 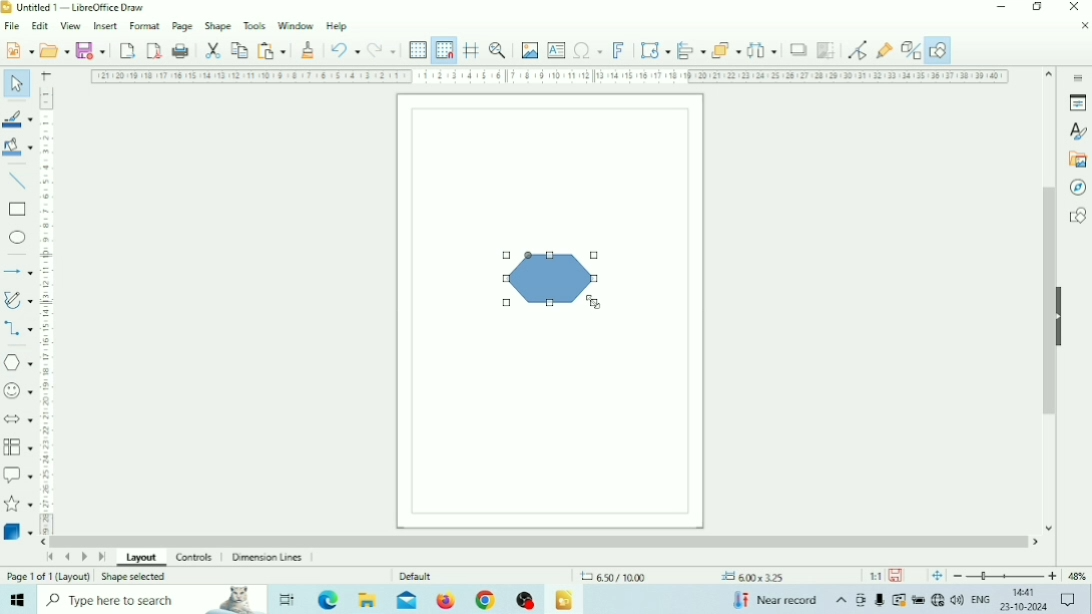 I want to click on Language, so click(x=982, y=600).